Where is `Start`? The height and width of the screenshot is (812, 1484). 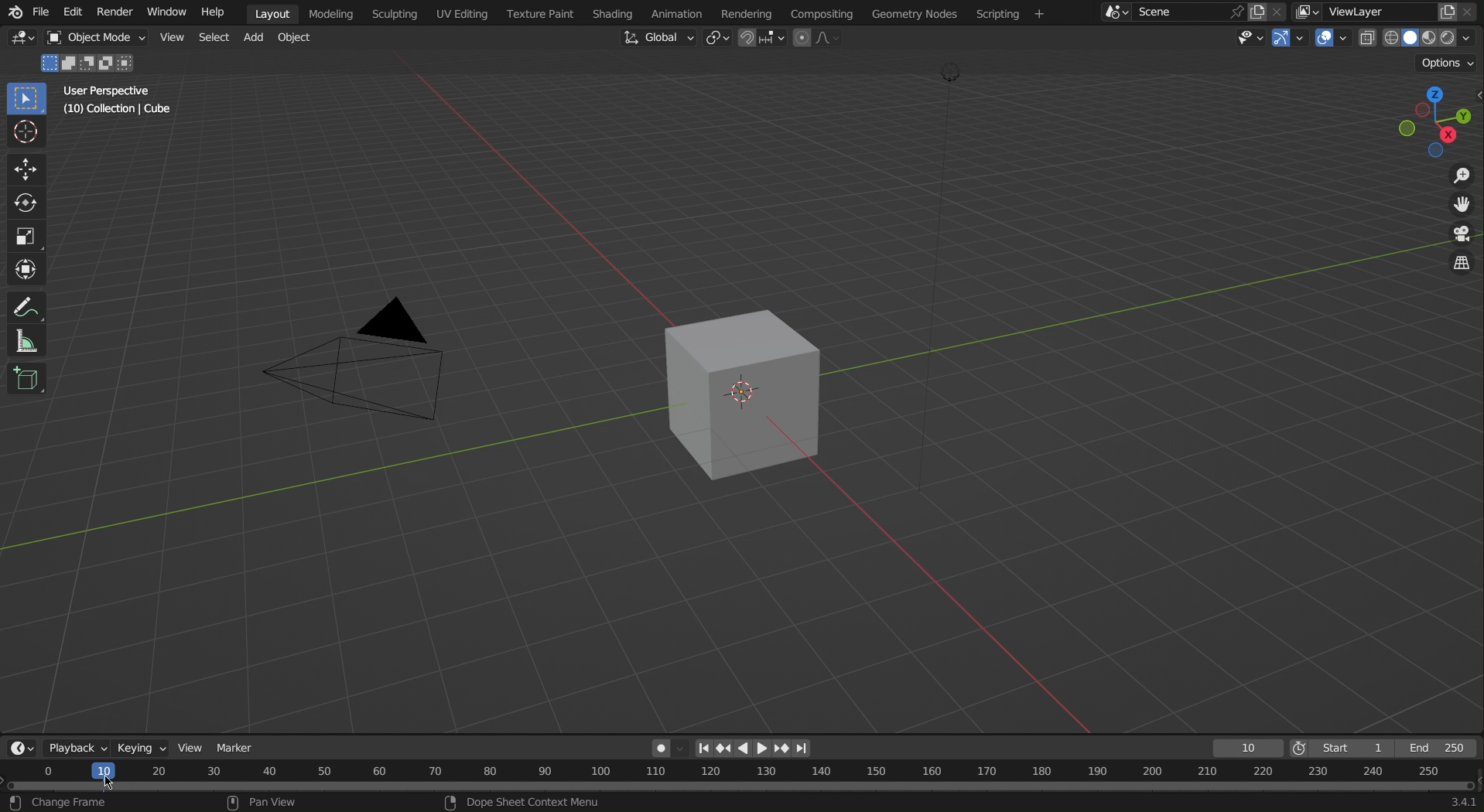
Start is located at coordinates (1345, 747).